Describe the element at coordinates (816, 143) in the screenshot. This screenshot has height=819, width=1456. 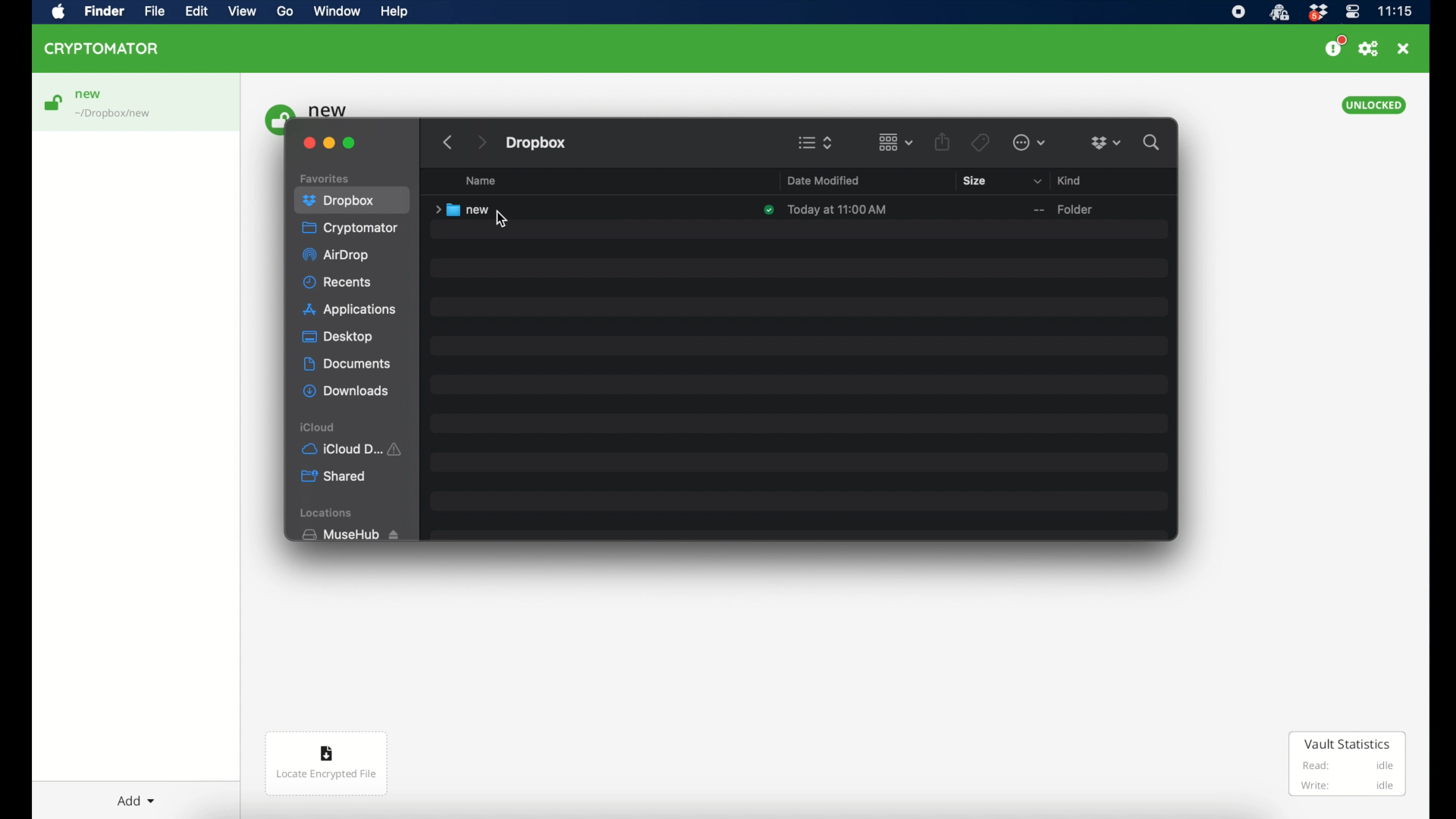
I see `view options` at that location.